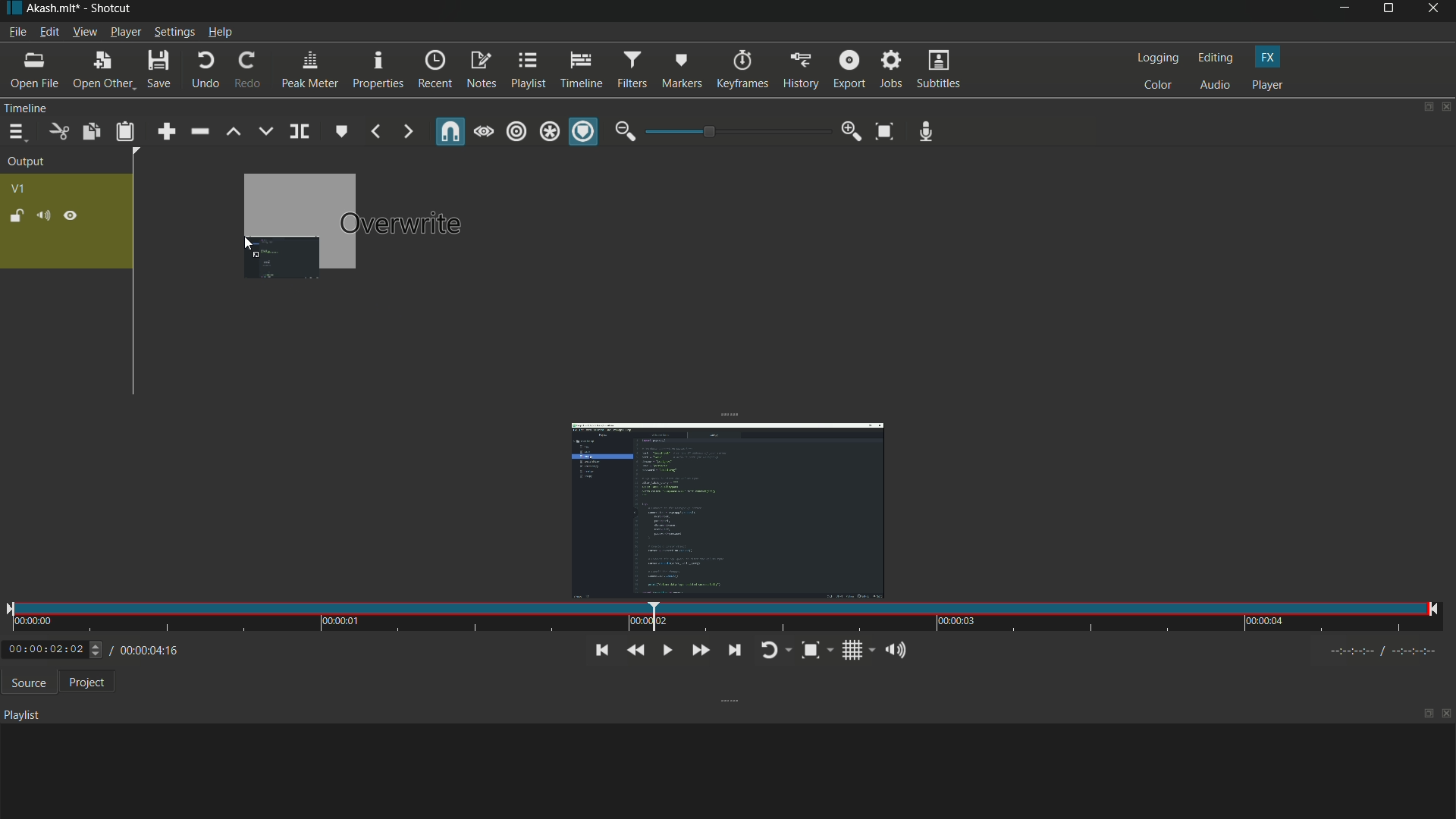 This screenshot has height=819, width=1456. I want to click on properties, so click(376, 70).